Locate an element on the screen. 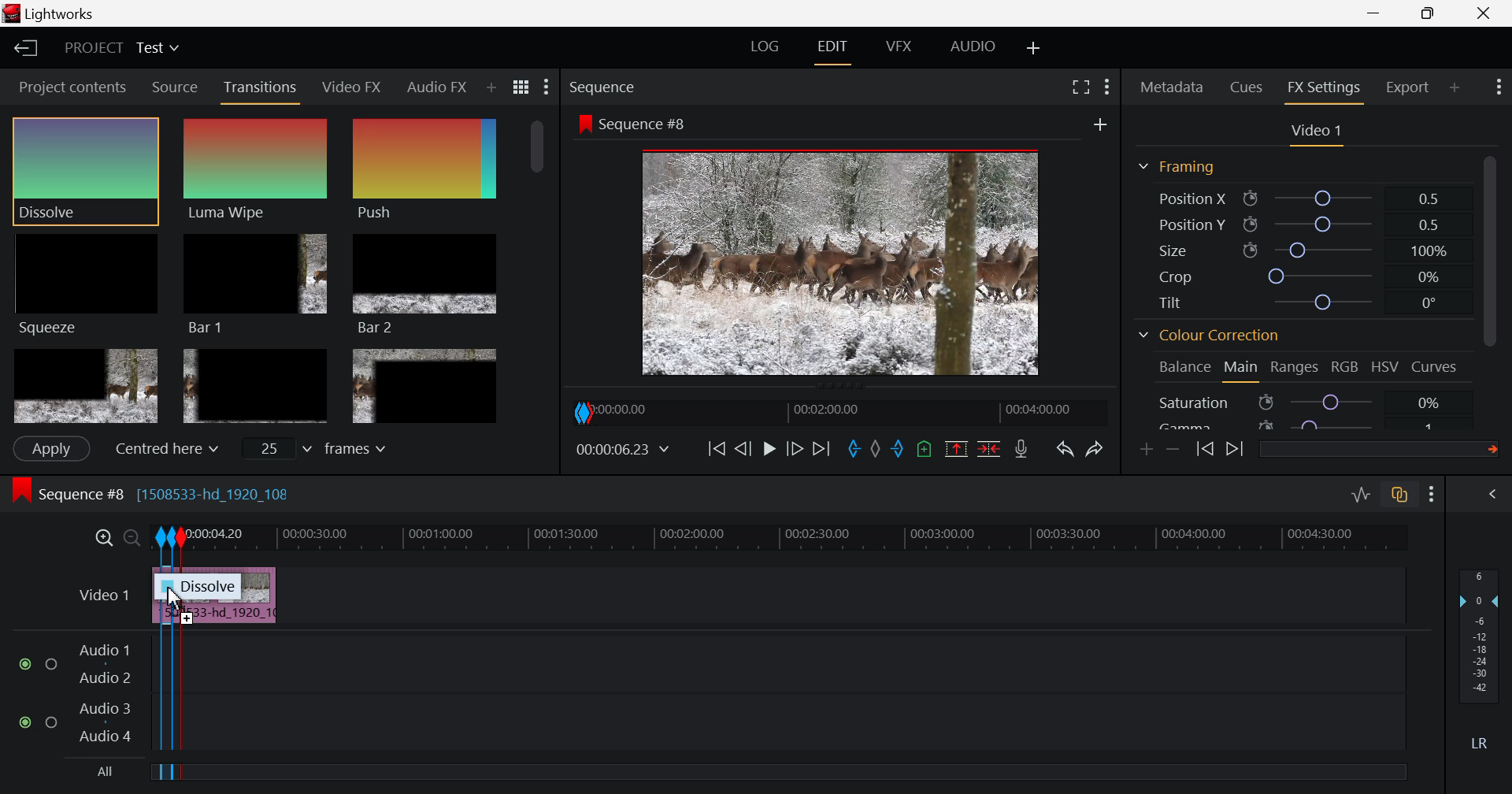 This screenshot has width=1512, height=794. Push is located at coordinates (424, 169).